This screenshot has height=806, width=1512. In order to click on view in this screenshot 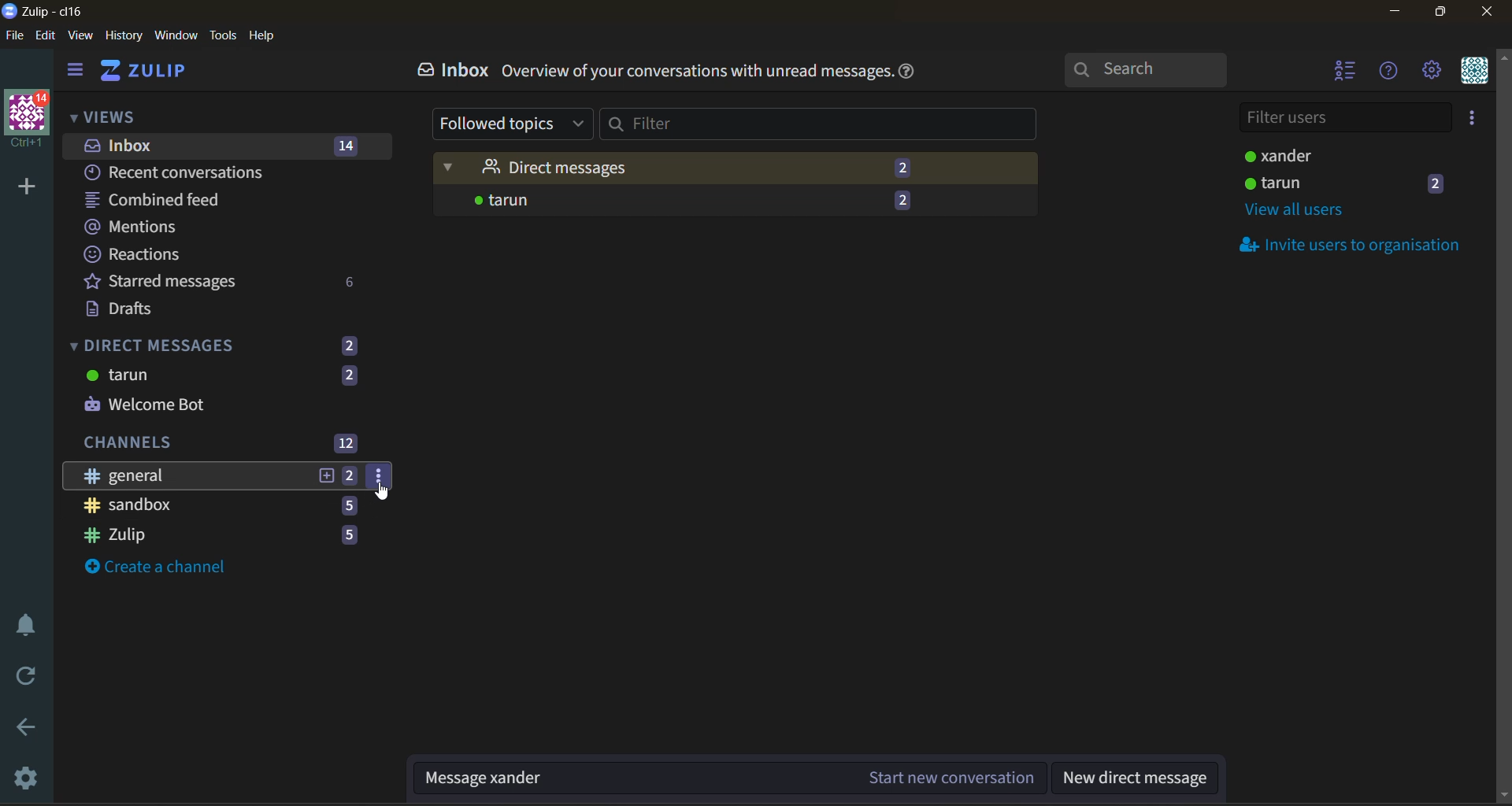, I will do `click(84, 37)`.